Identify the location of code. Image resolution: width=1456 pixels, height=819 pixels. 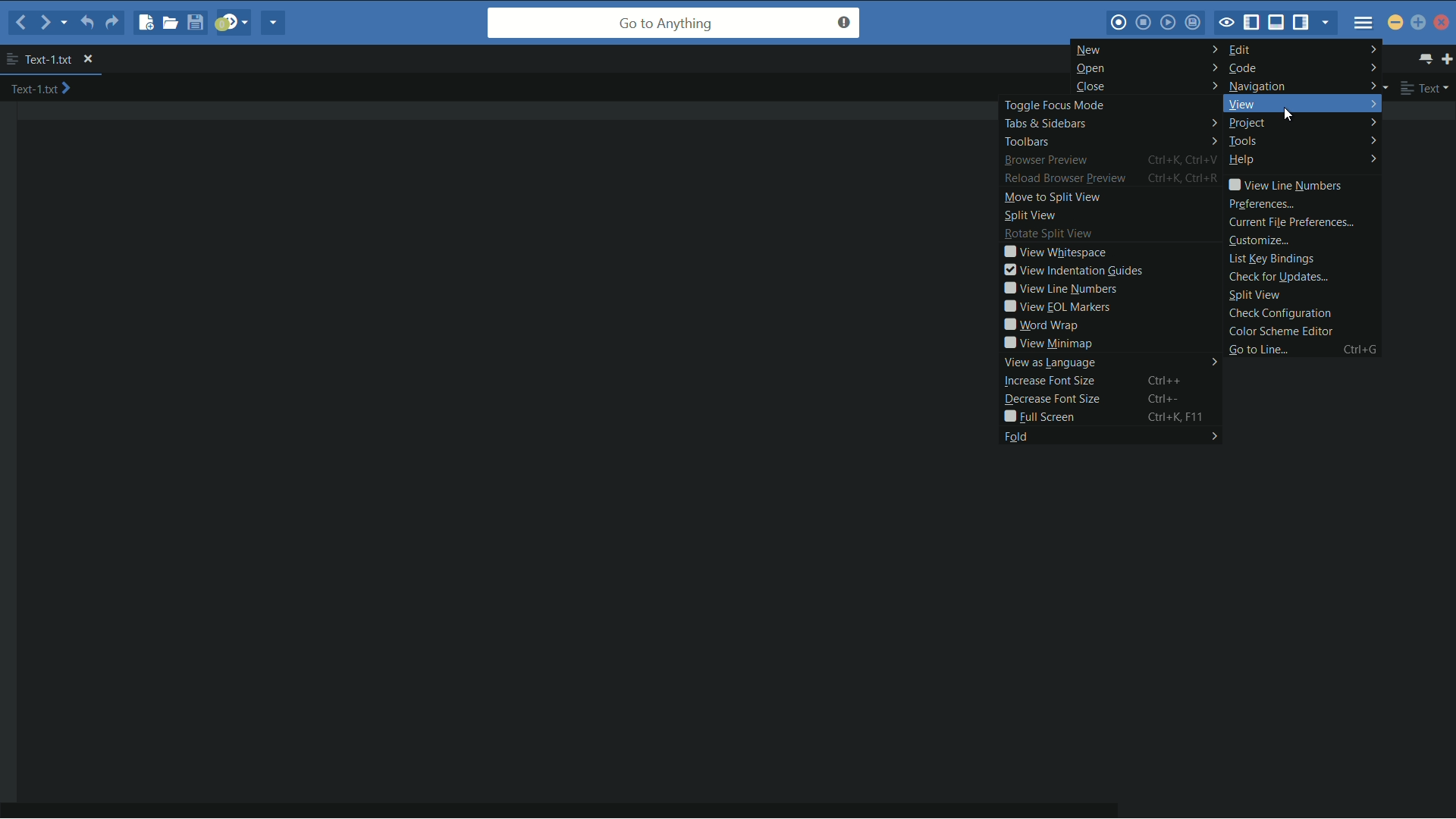
(1304, 67).